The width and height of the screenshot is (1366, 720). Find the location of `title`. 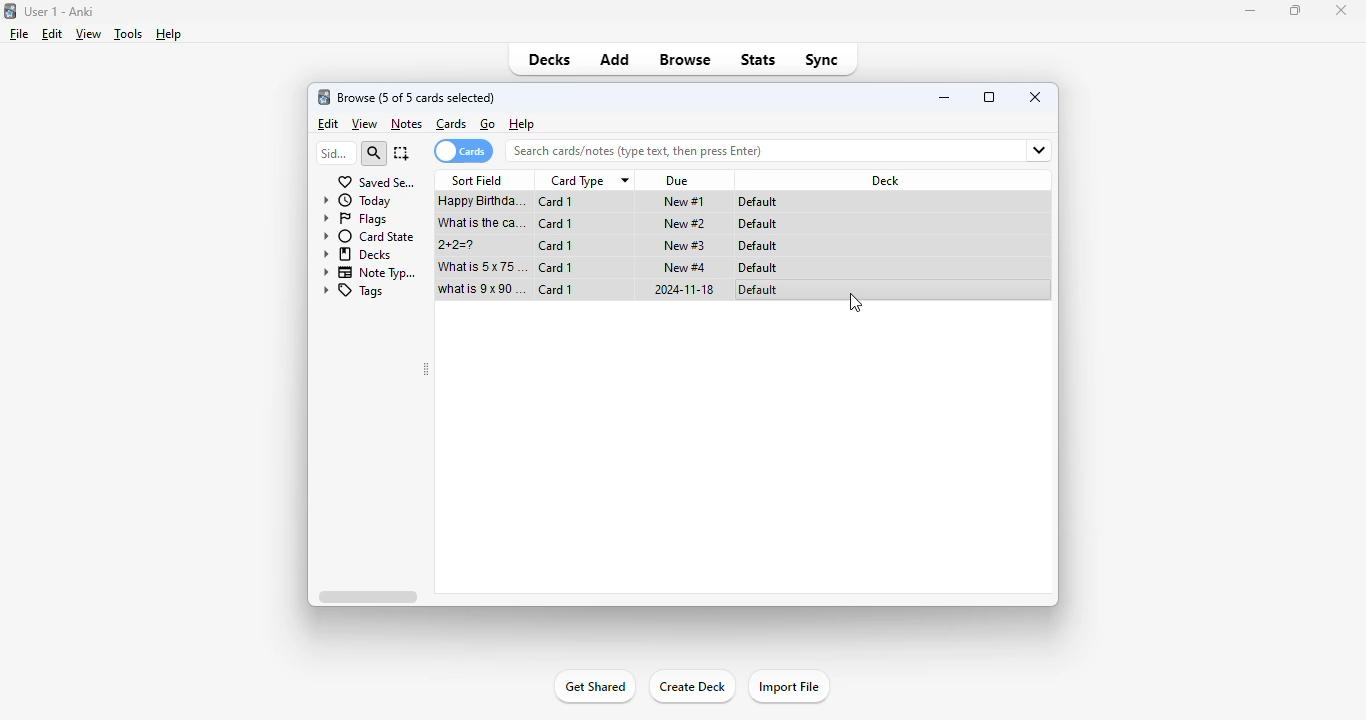

title is located at coordinates (58, 12).